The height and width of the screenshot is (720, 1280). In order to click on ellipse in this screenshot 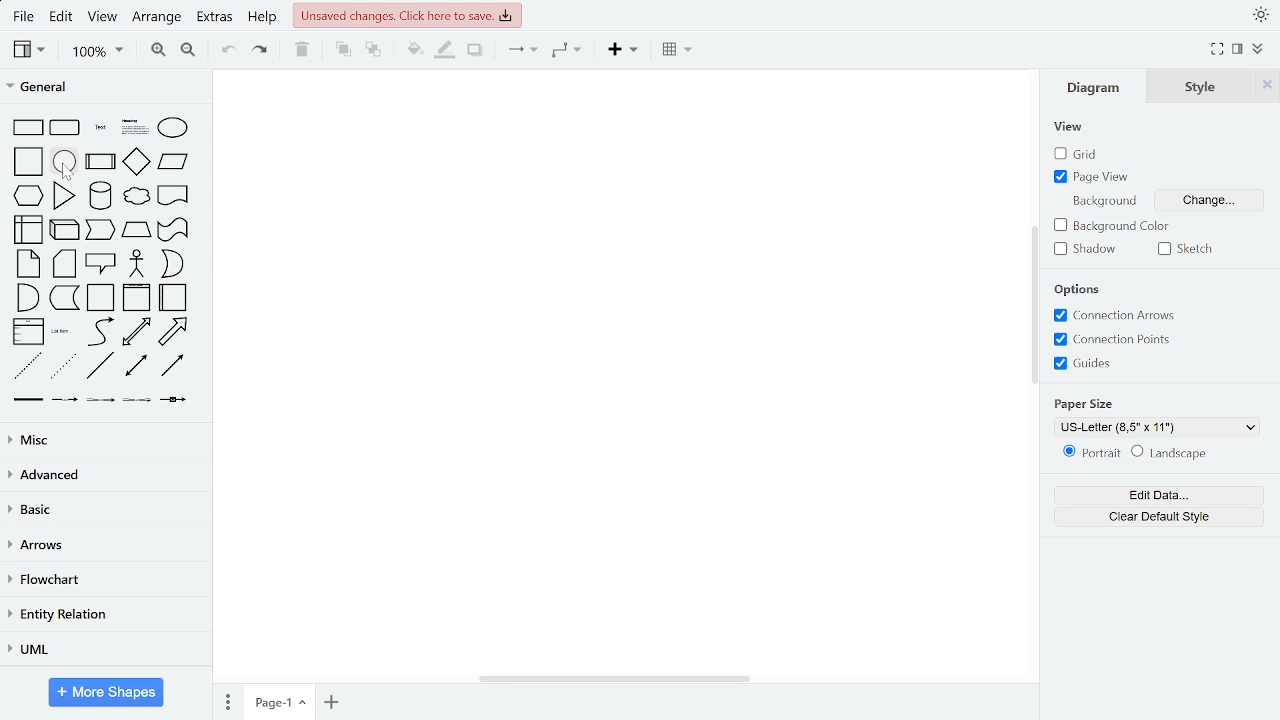, I will do `click(174, 127)`.